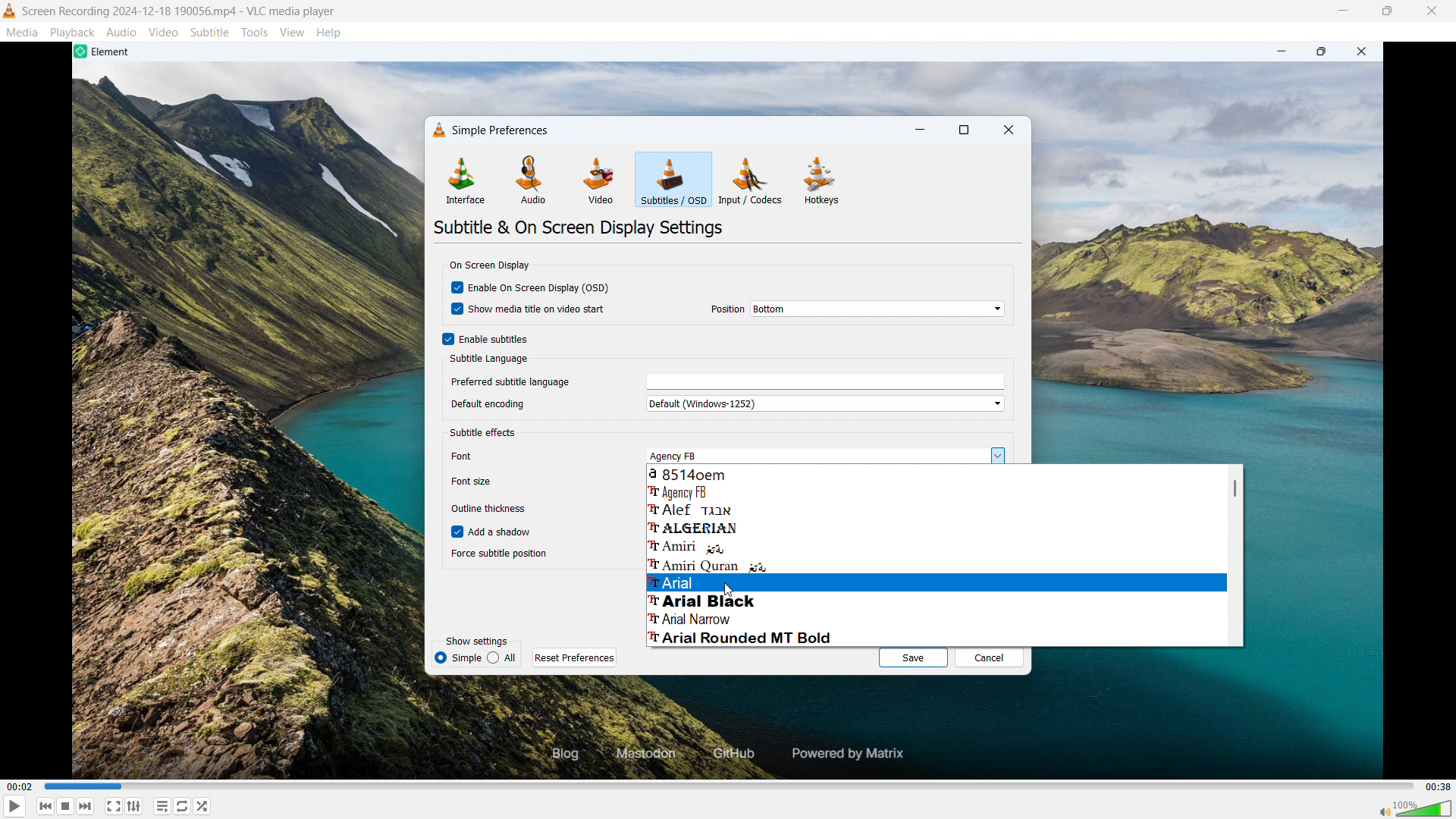  Describe the element at coordinates (66, 806) in the screenshot. I see `stop playback` at that location.